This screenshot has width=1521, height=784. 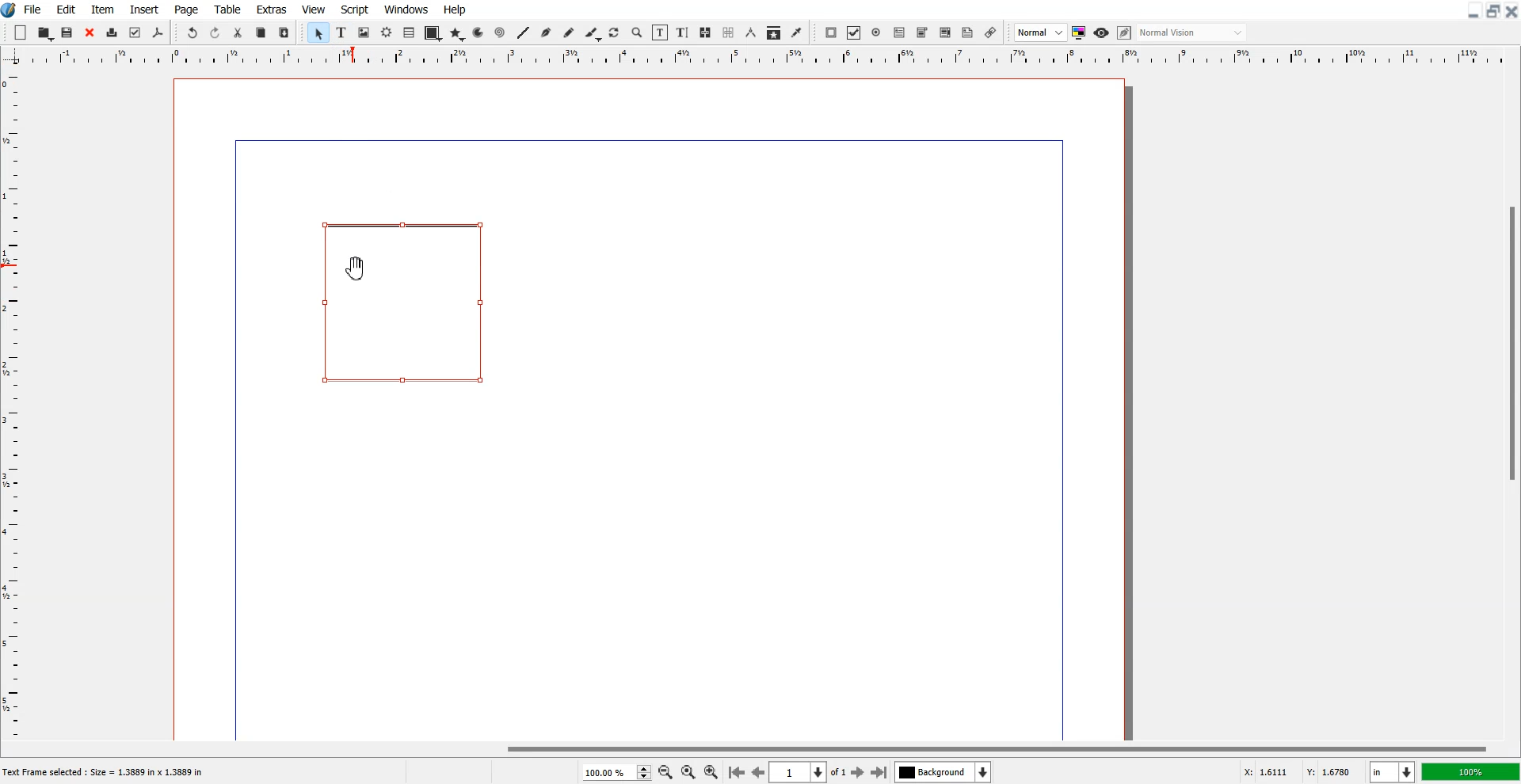 I want to click on Eye dropper, so click(x=796, y=32).